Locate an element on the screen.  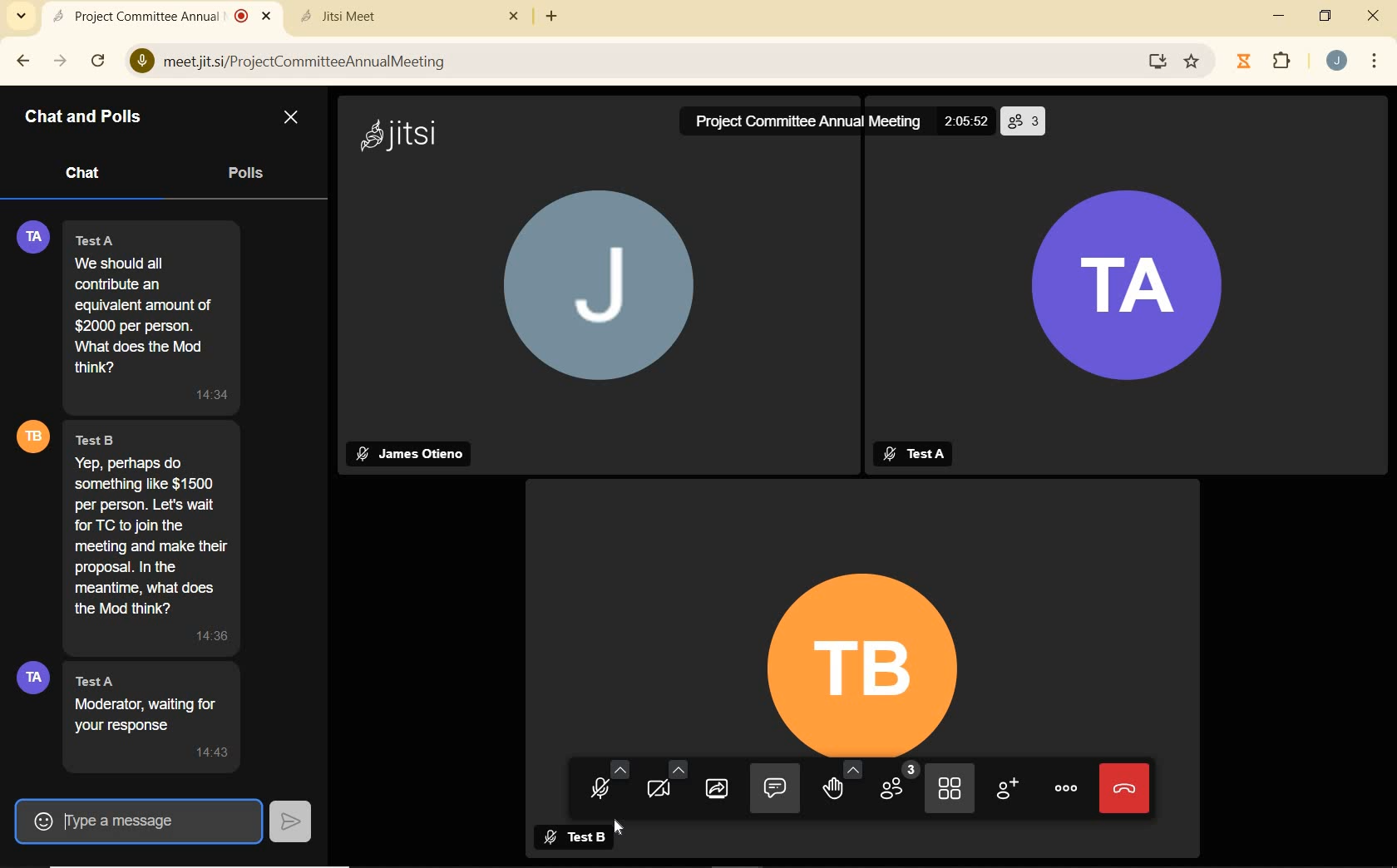
close is located at coordinates (1375, 18).